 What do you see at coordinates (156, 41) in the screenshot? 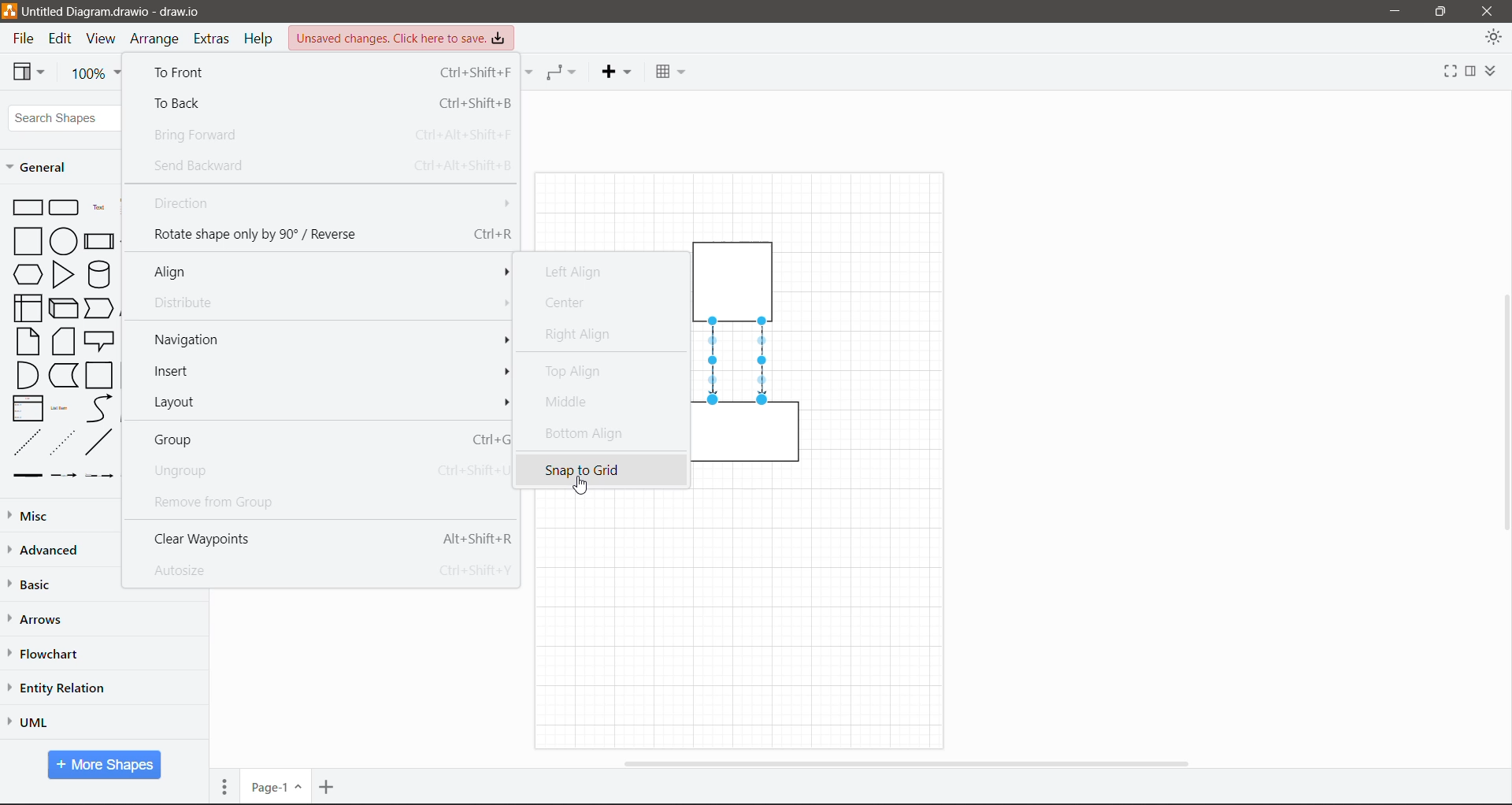
I see `Arrange` at bounding box center [156, 41].